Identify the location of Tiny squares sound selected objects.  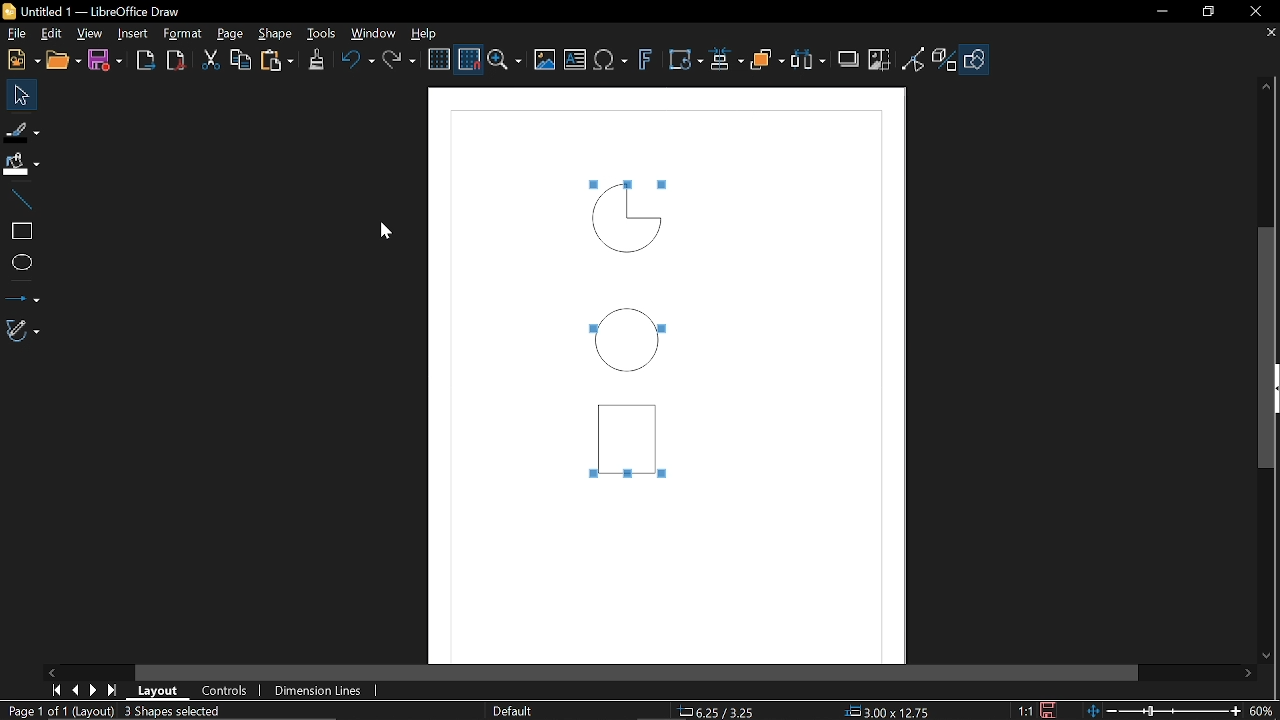
(587, 473).